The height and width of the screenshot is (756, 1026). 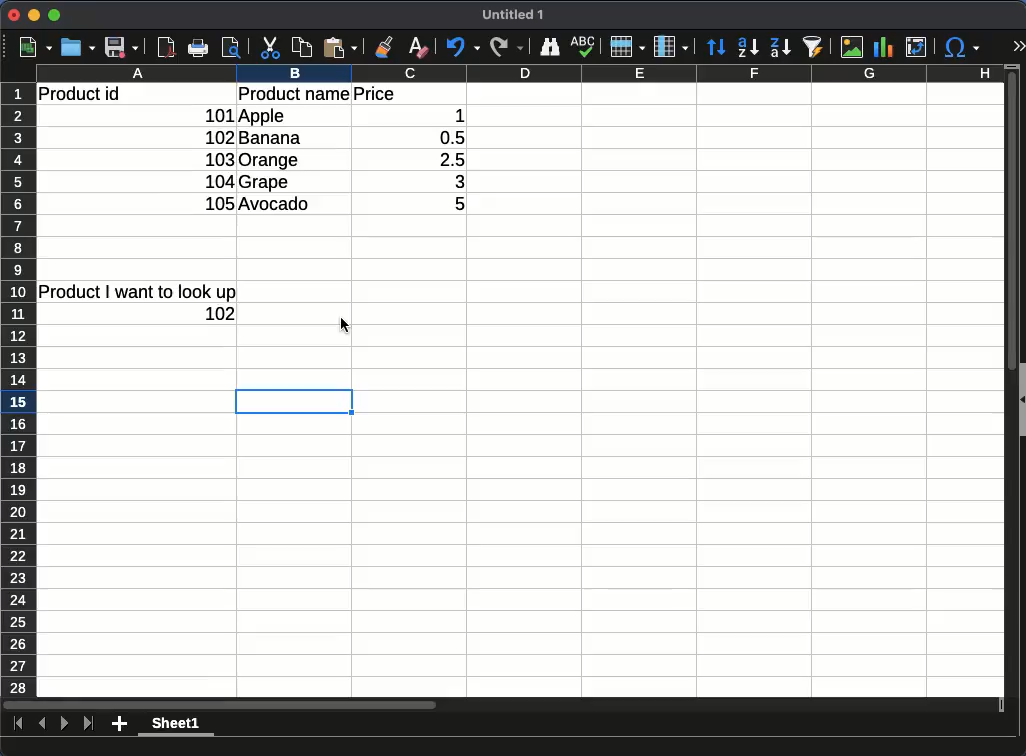 What do you see at coordinates (344, 326) in the screenshot?
I see `cursor` at bounding box center [344, 326].